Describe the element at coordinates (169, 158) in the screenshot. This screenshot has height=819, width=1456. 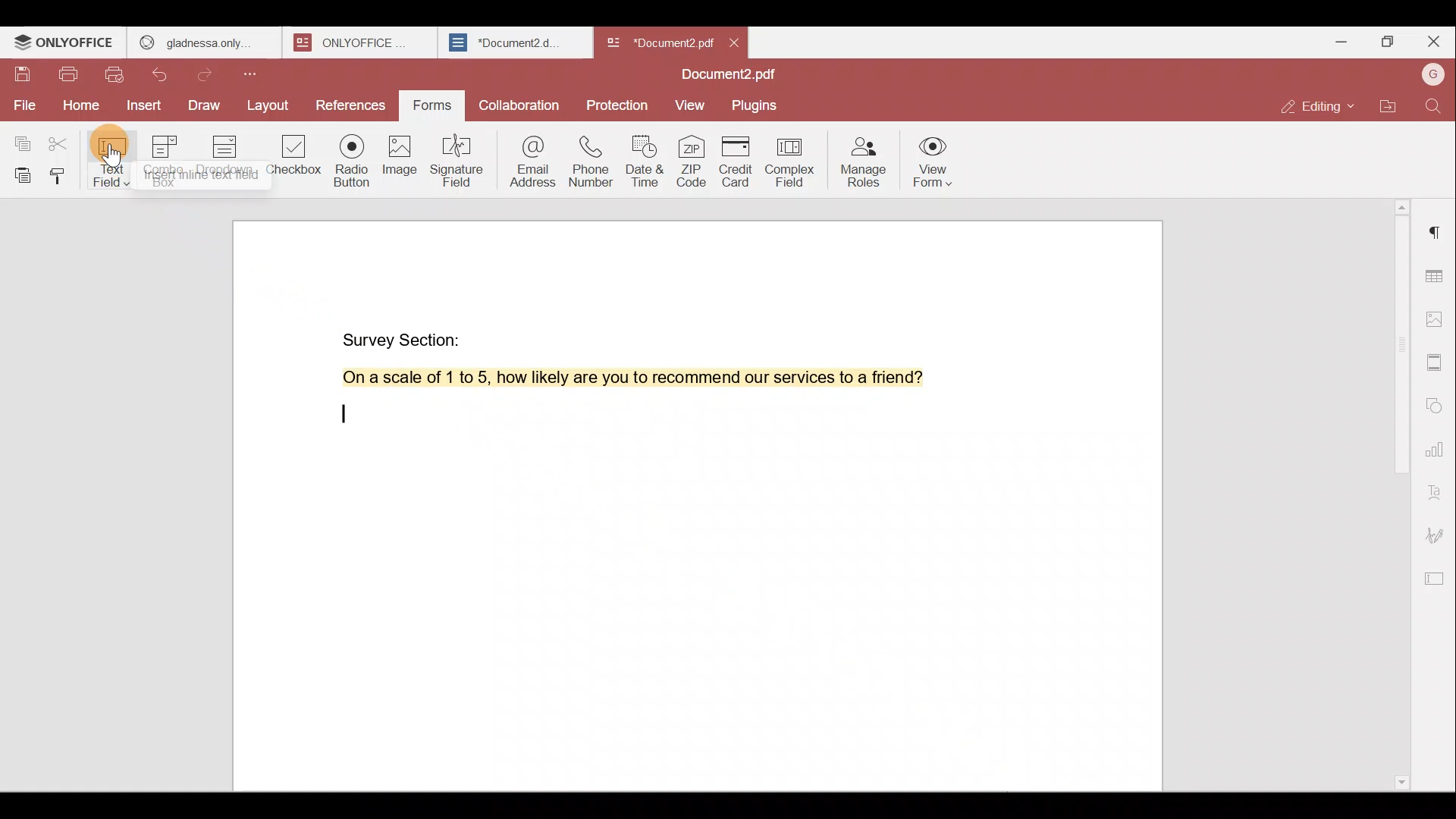
I see `Combo box` at that location.